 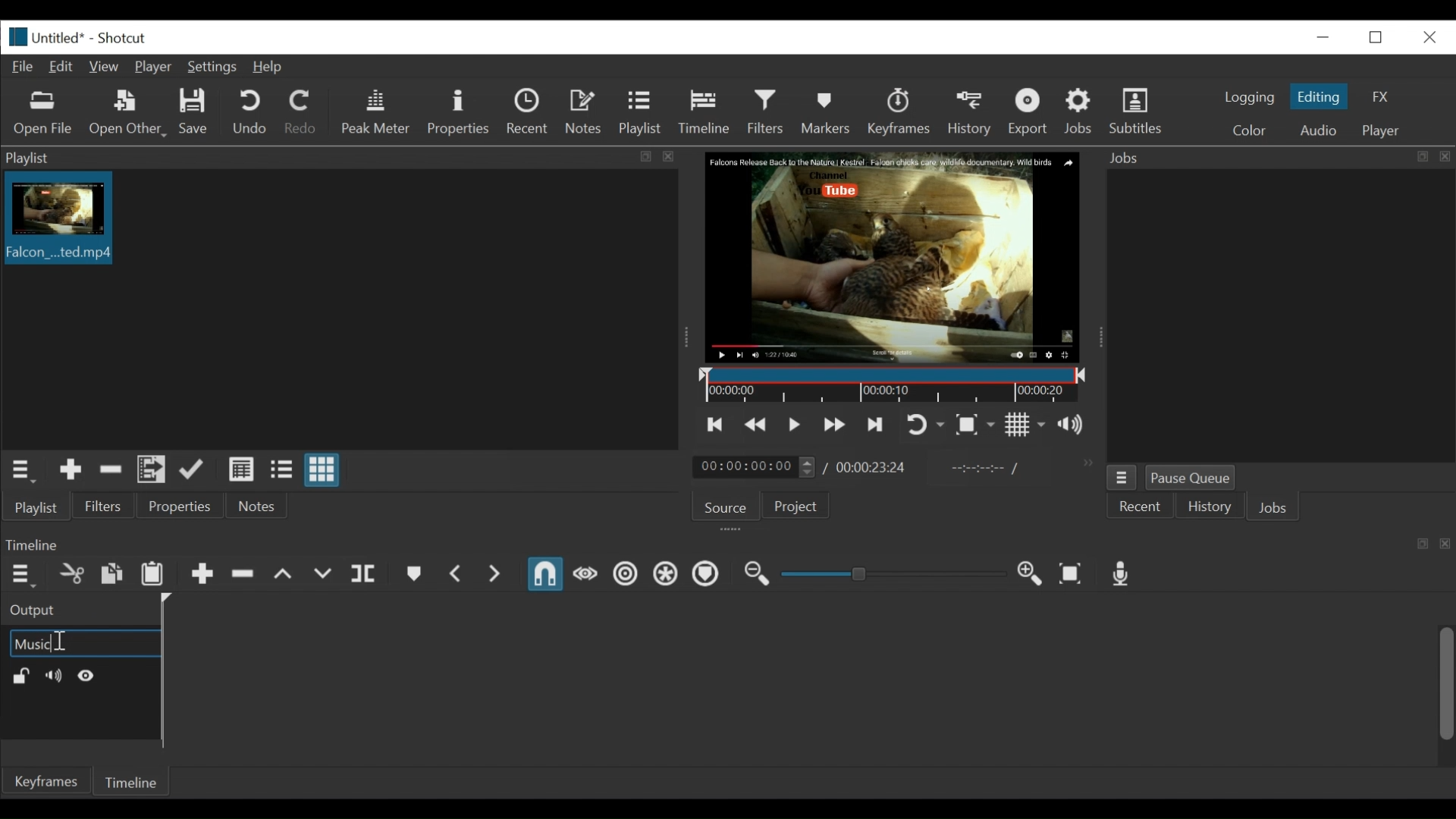 I want to click on Playlist, so click(x=39, y=508).